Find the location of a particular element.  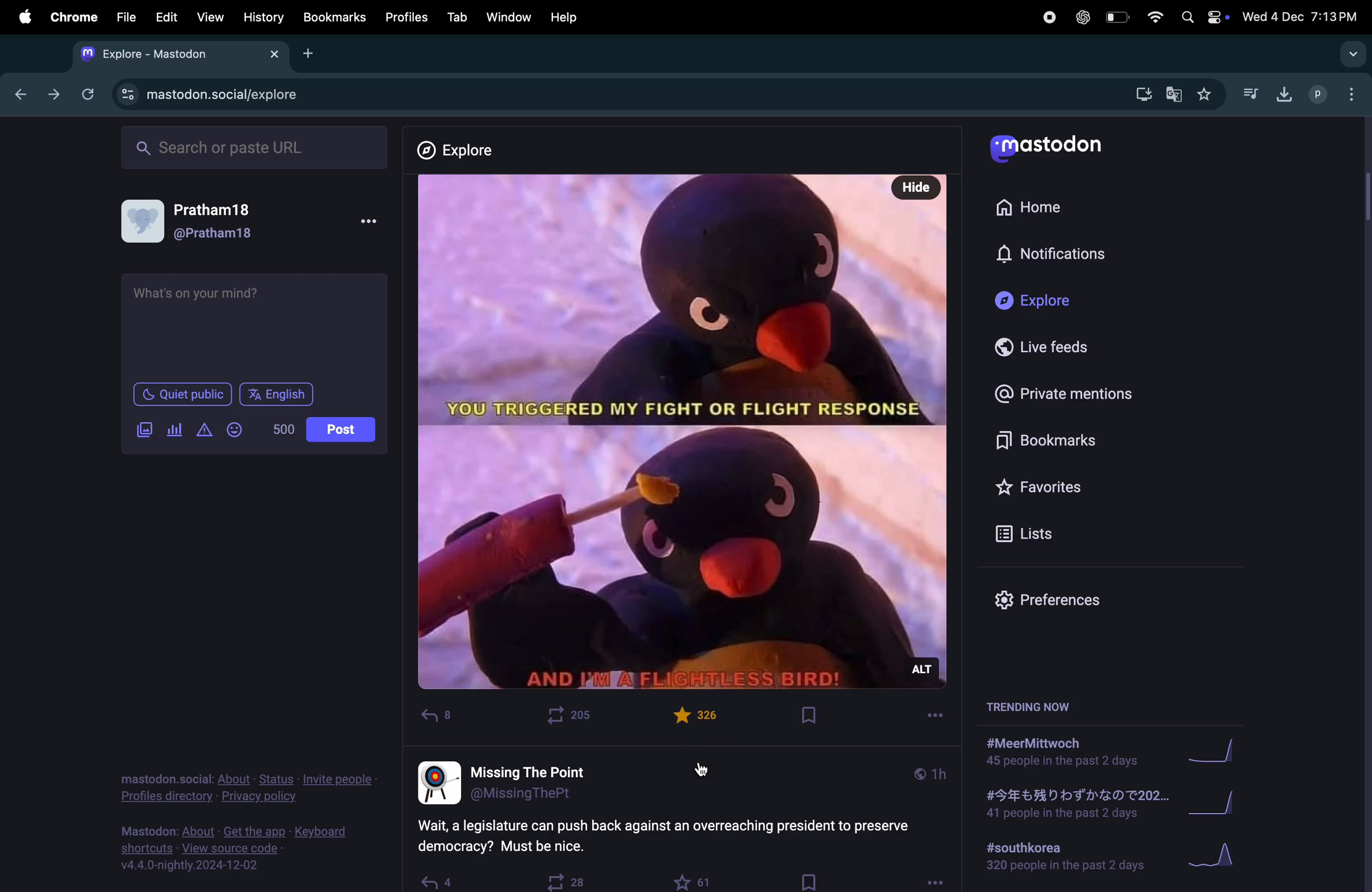

favourites is located at coordinates (1057, 486).